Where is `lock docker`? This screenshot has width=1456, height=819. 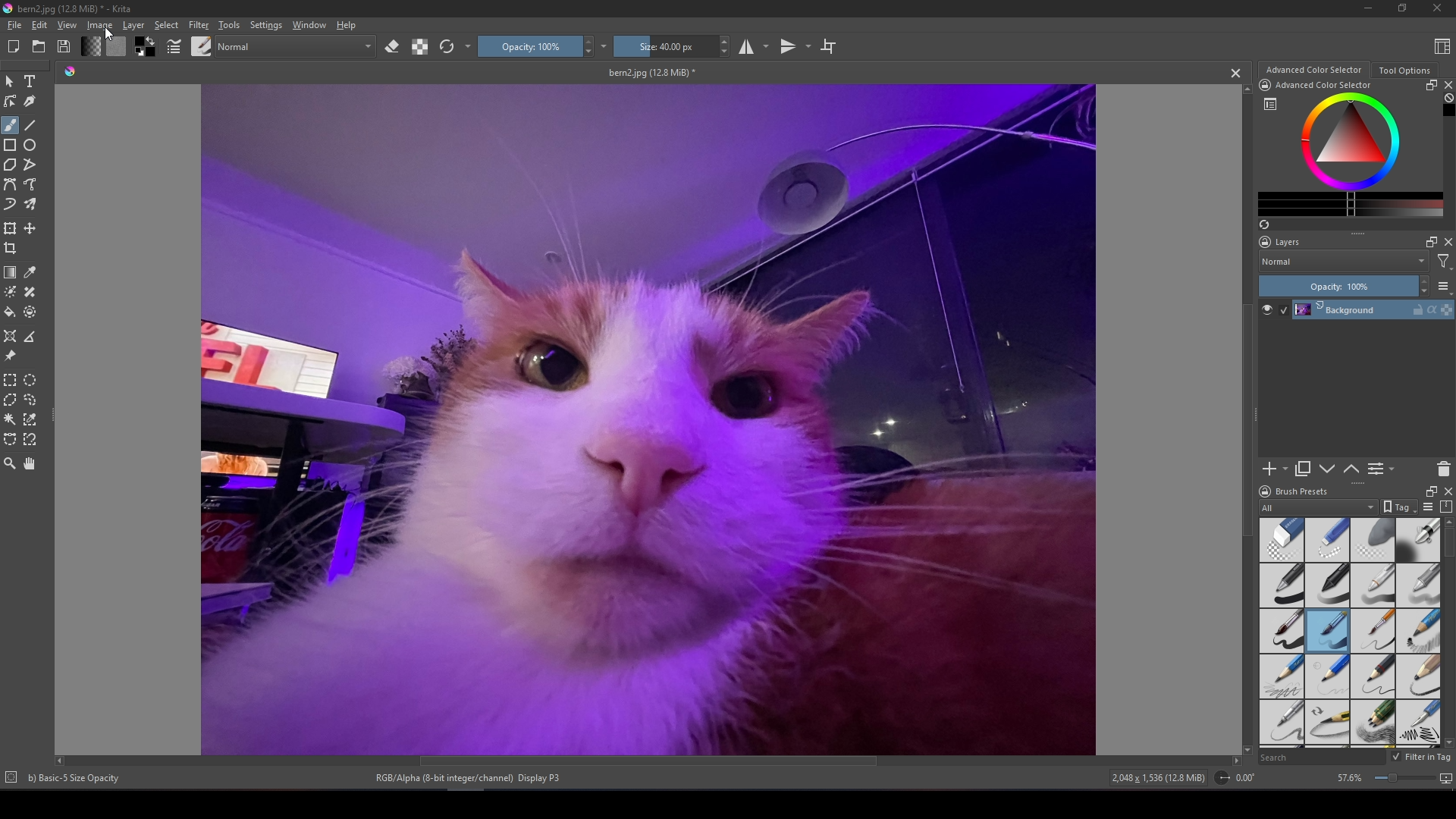
lock docker is located at coordinates (1265, 85).